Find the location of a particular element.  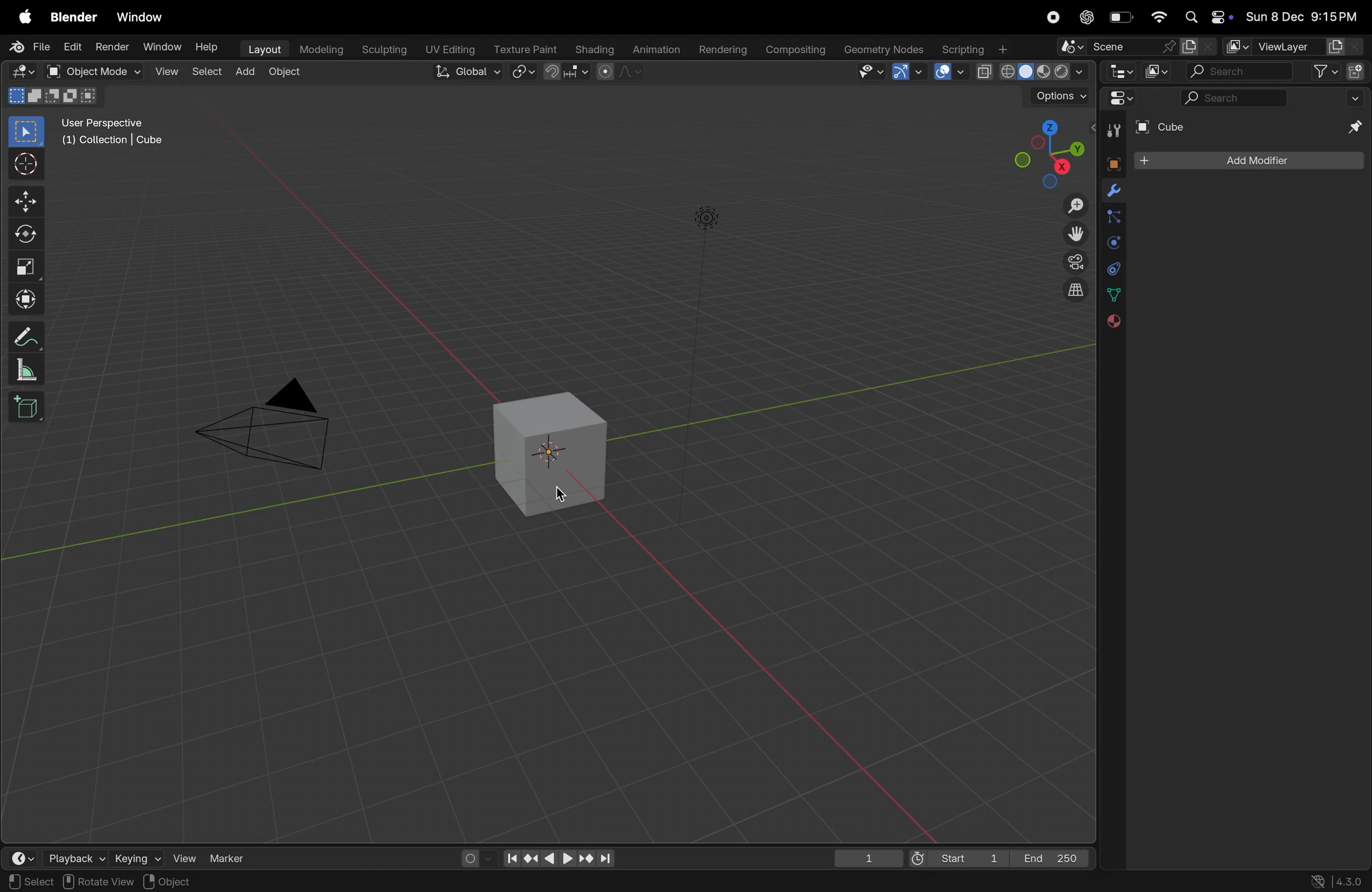

scripting is located at coordinates (973, 50).